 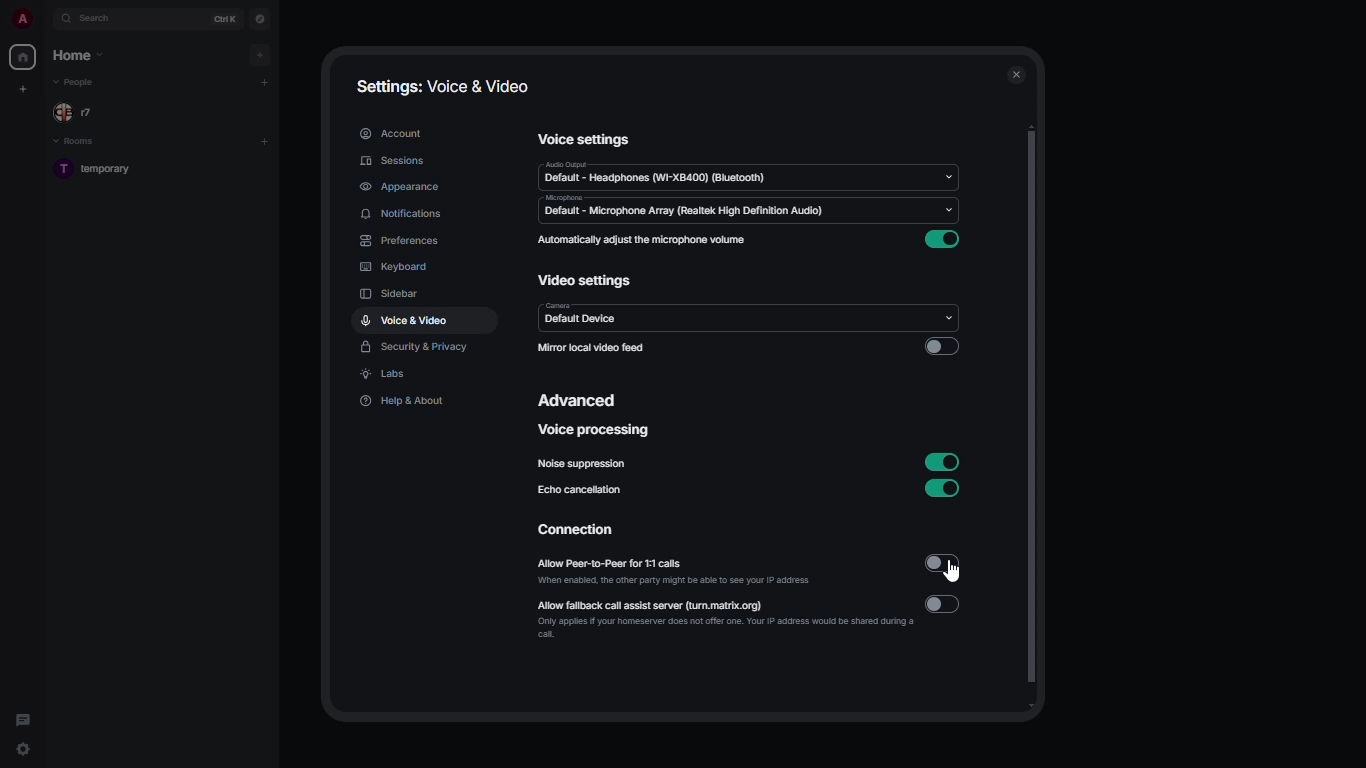 I want to click on account, so click(x=389, y=132).